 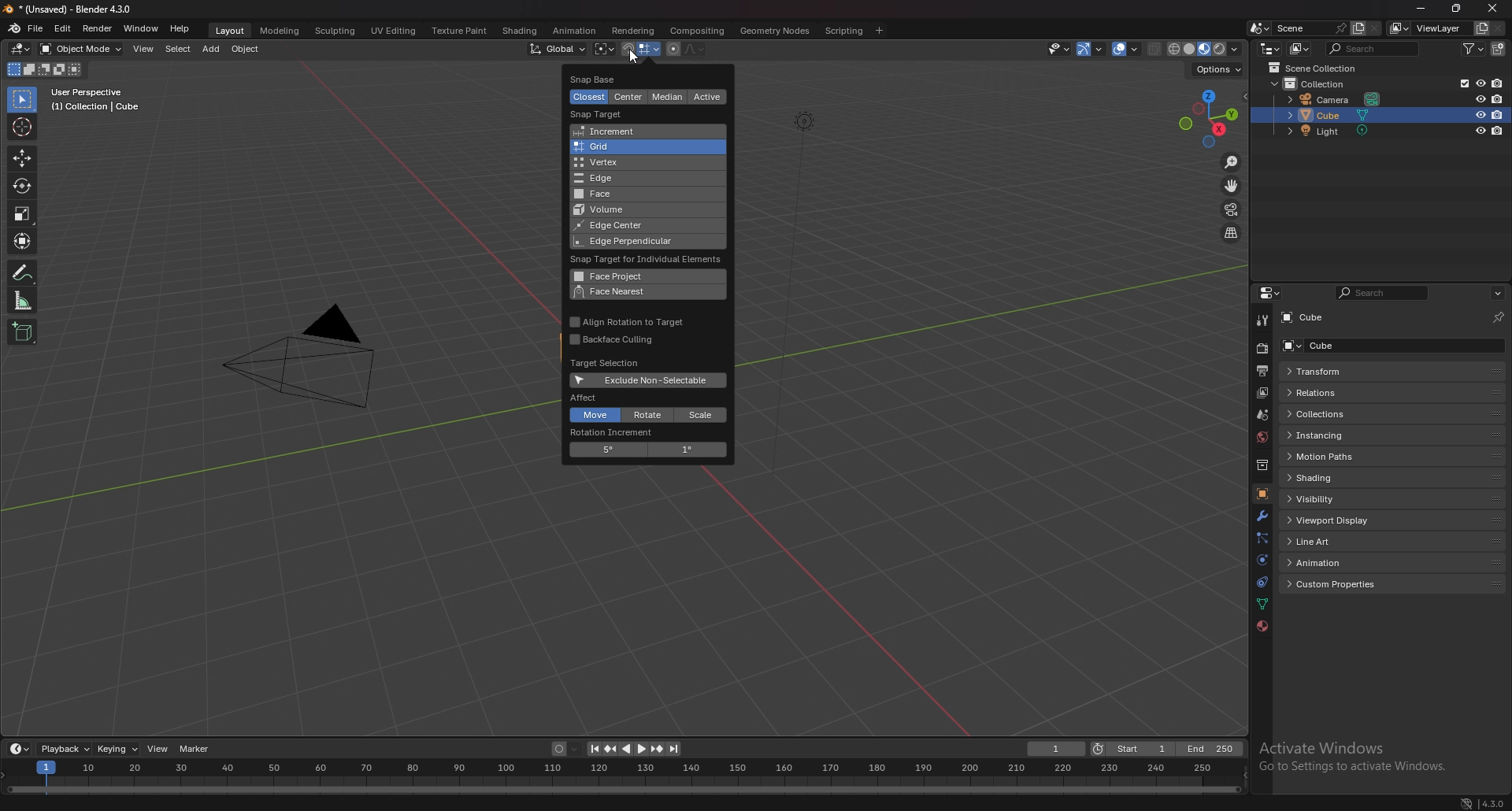 What do you see at coordinates (1499, 28) in the screenshot?
I see `remove view layer` at bounding box center [1499, 28].